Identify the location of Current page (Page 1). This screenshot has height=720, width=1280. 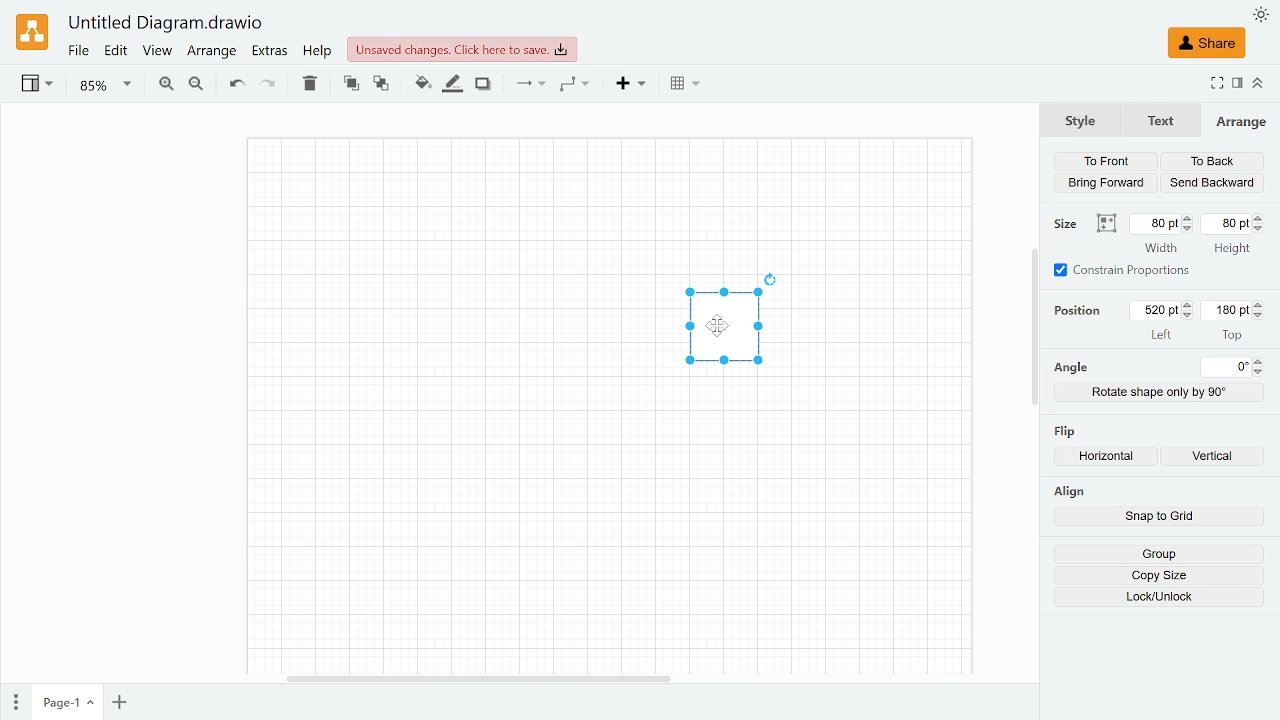
(65, 702).